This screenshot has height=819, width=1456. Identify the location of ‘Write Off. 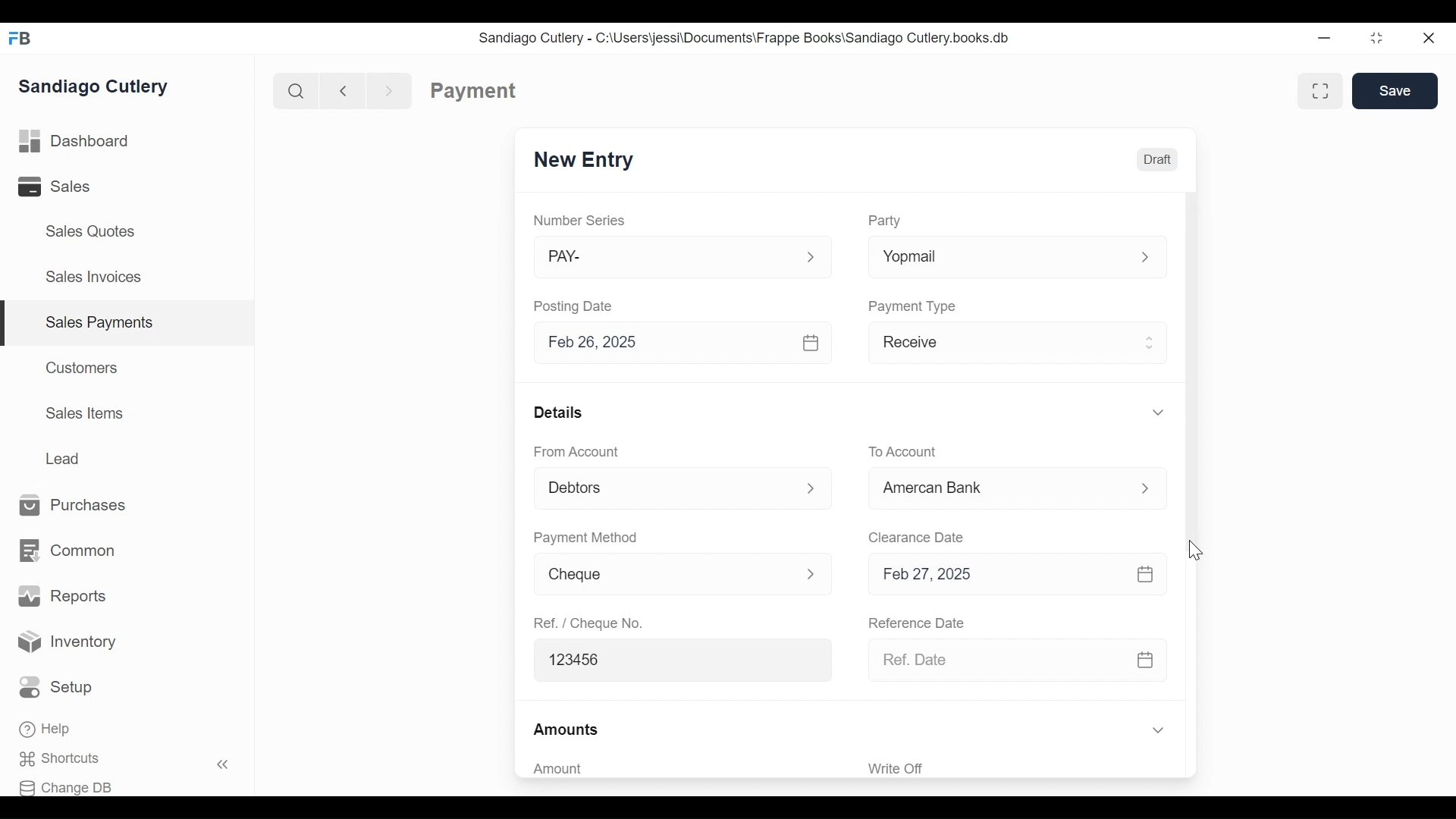
(1019, 768).